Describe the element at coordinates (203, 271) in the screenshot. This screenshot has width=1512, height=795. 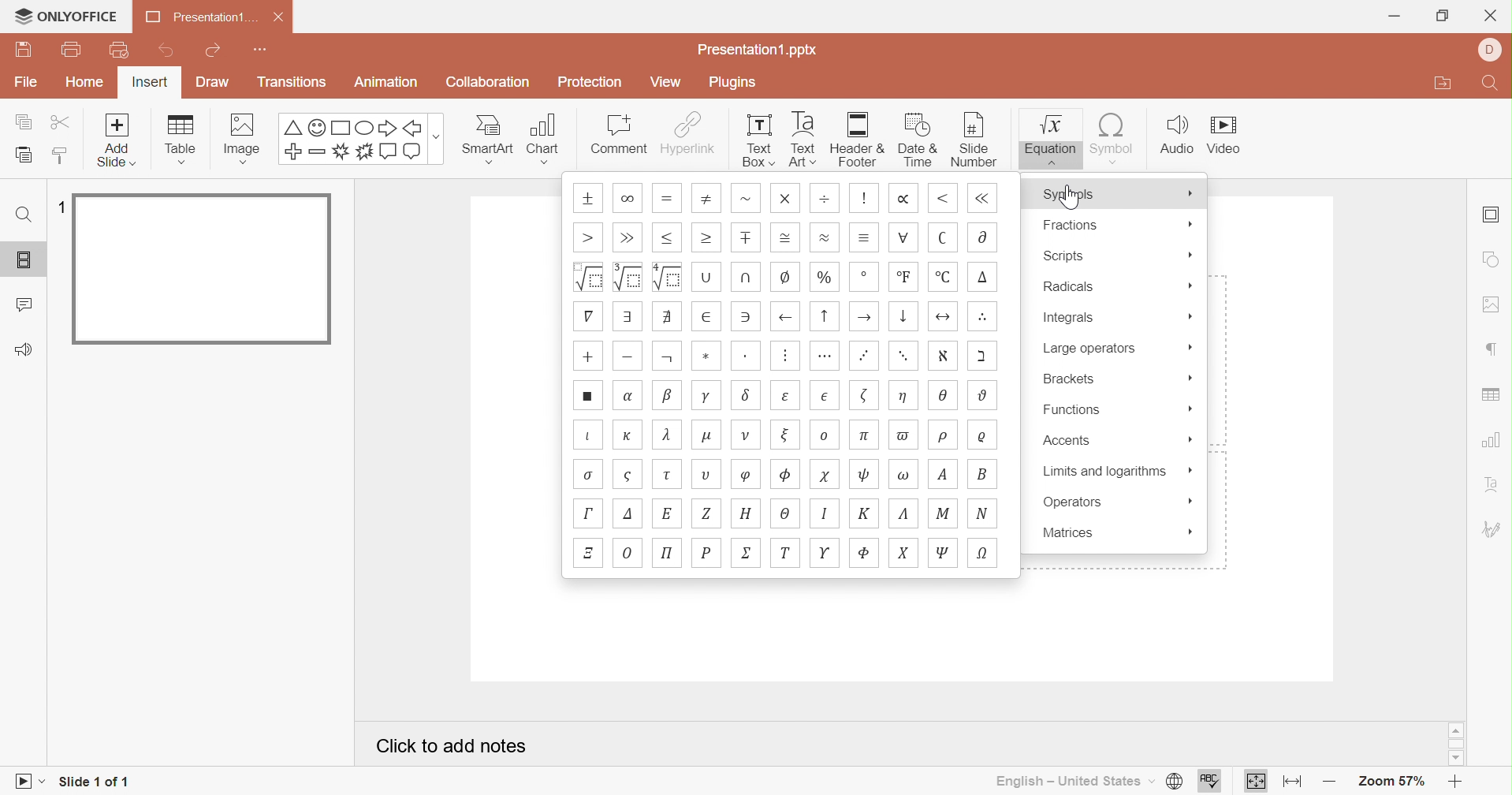
I see `Slide` at that location.